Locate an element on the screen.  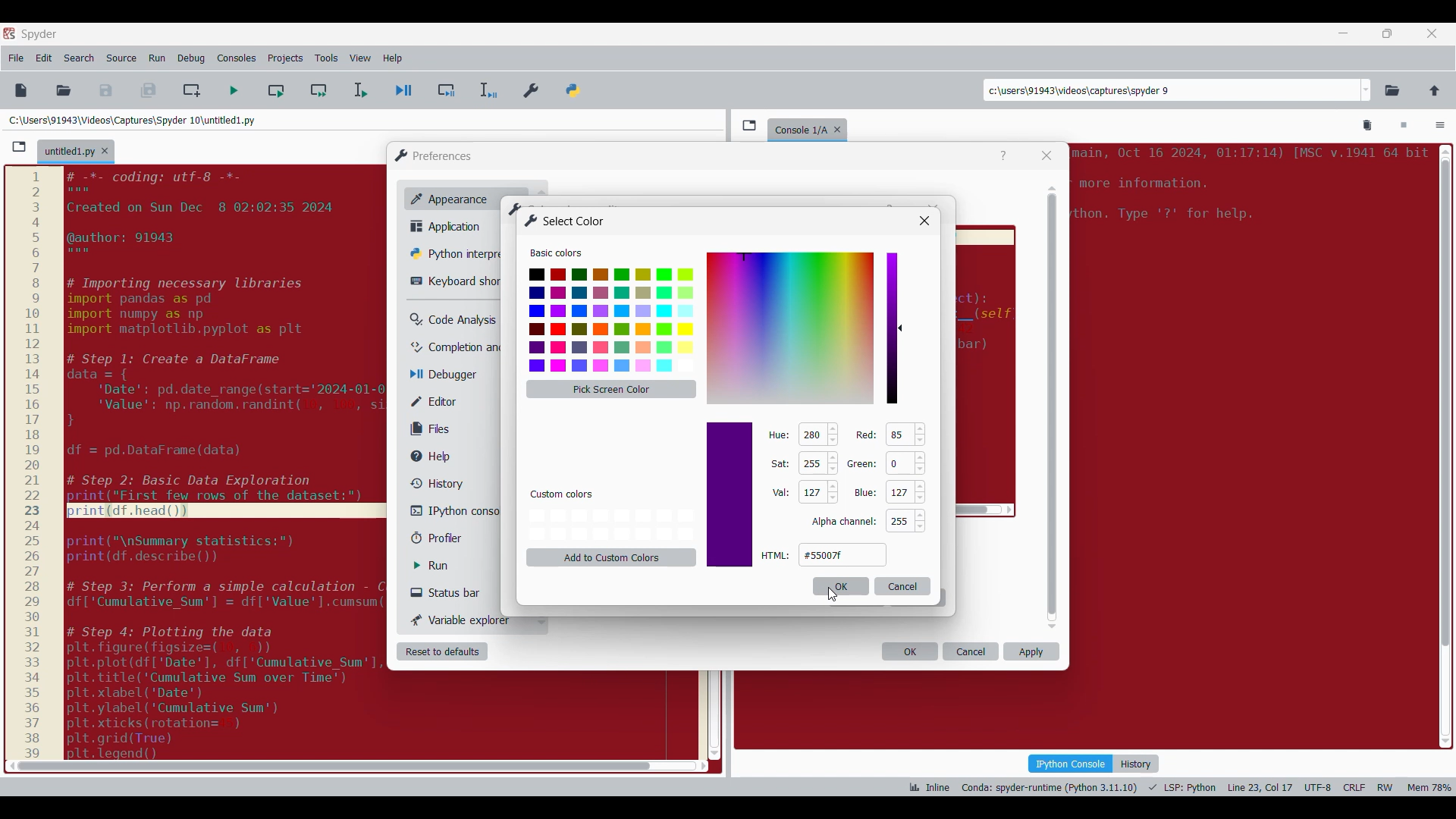
Close is located at coordinates (1046, 155).